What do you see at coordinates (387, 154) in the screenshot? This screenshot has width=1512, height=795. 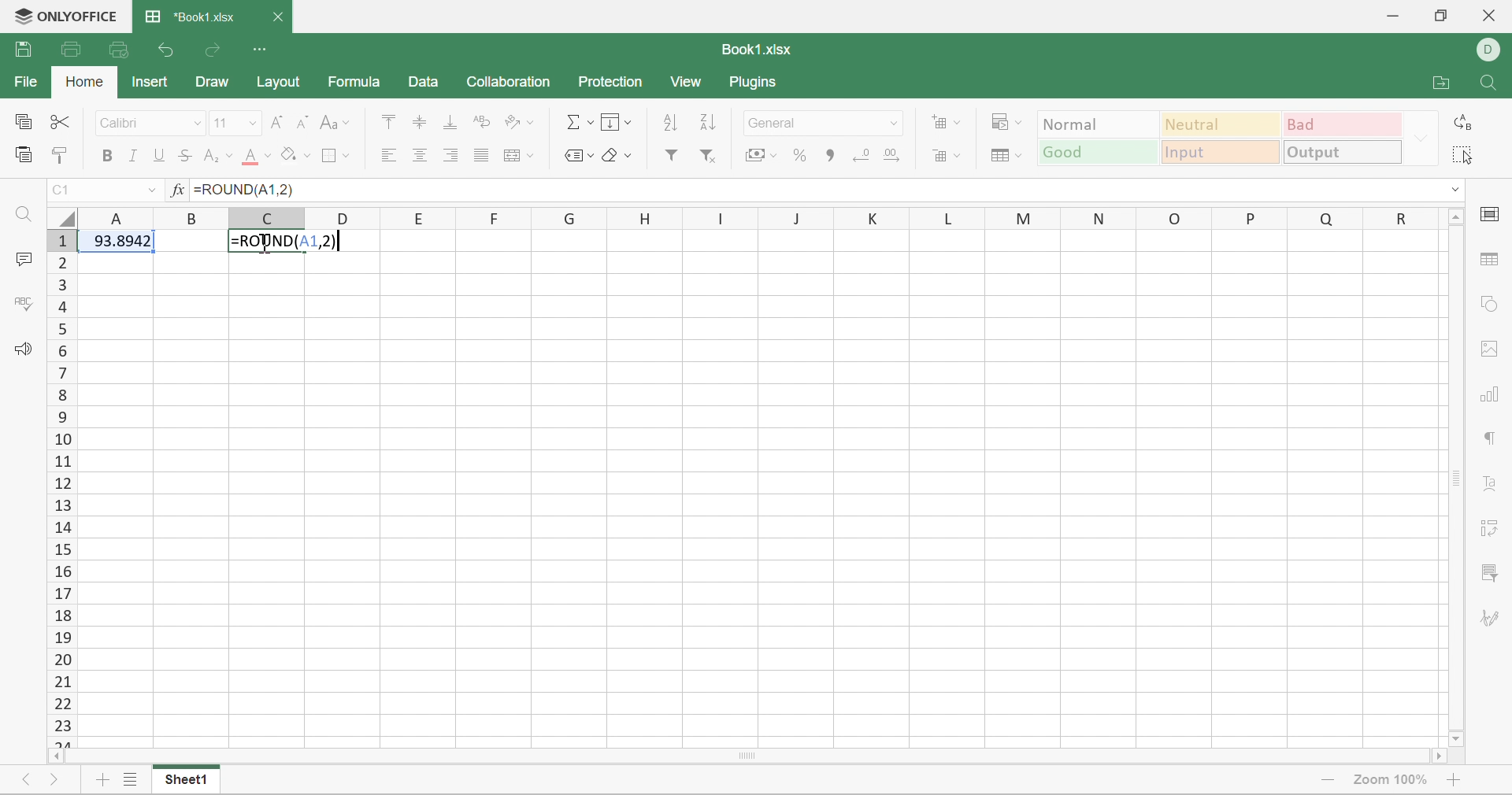 I see `Align Left` at bounding box center [387, 154].